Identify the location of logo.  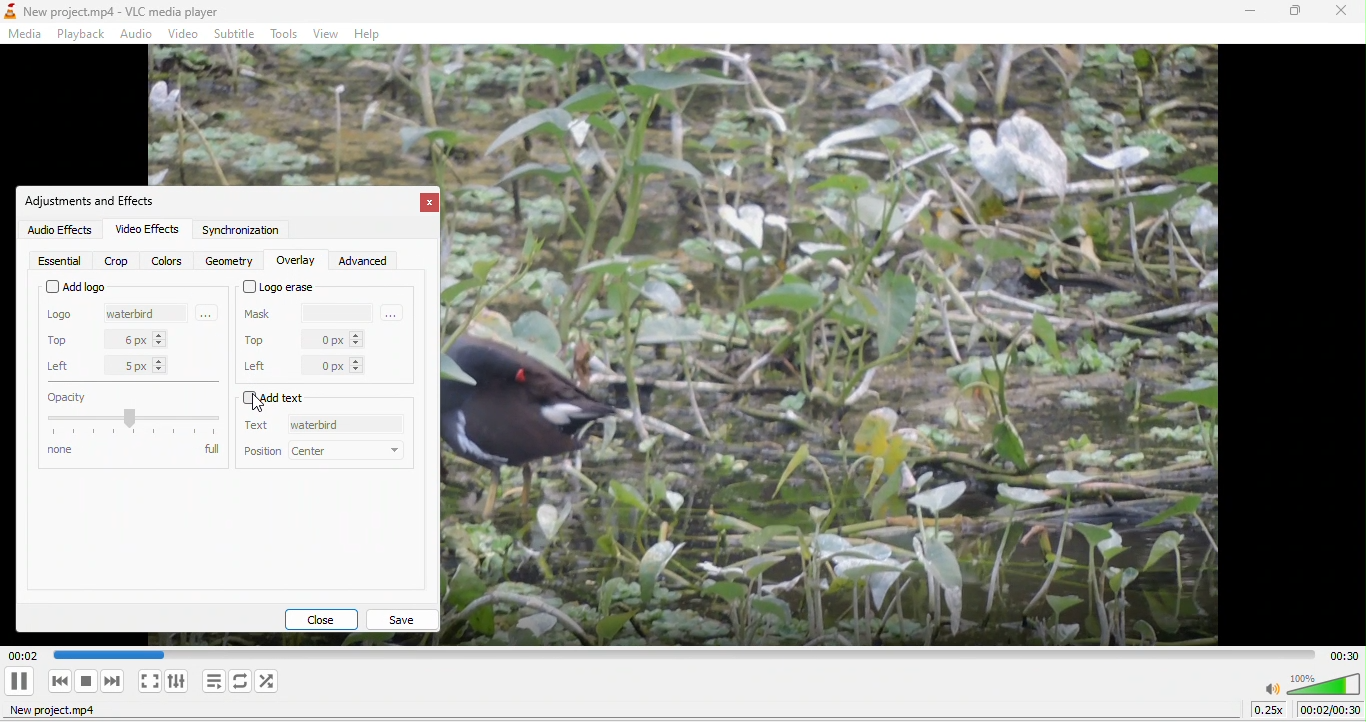
(65, 316).